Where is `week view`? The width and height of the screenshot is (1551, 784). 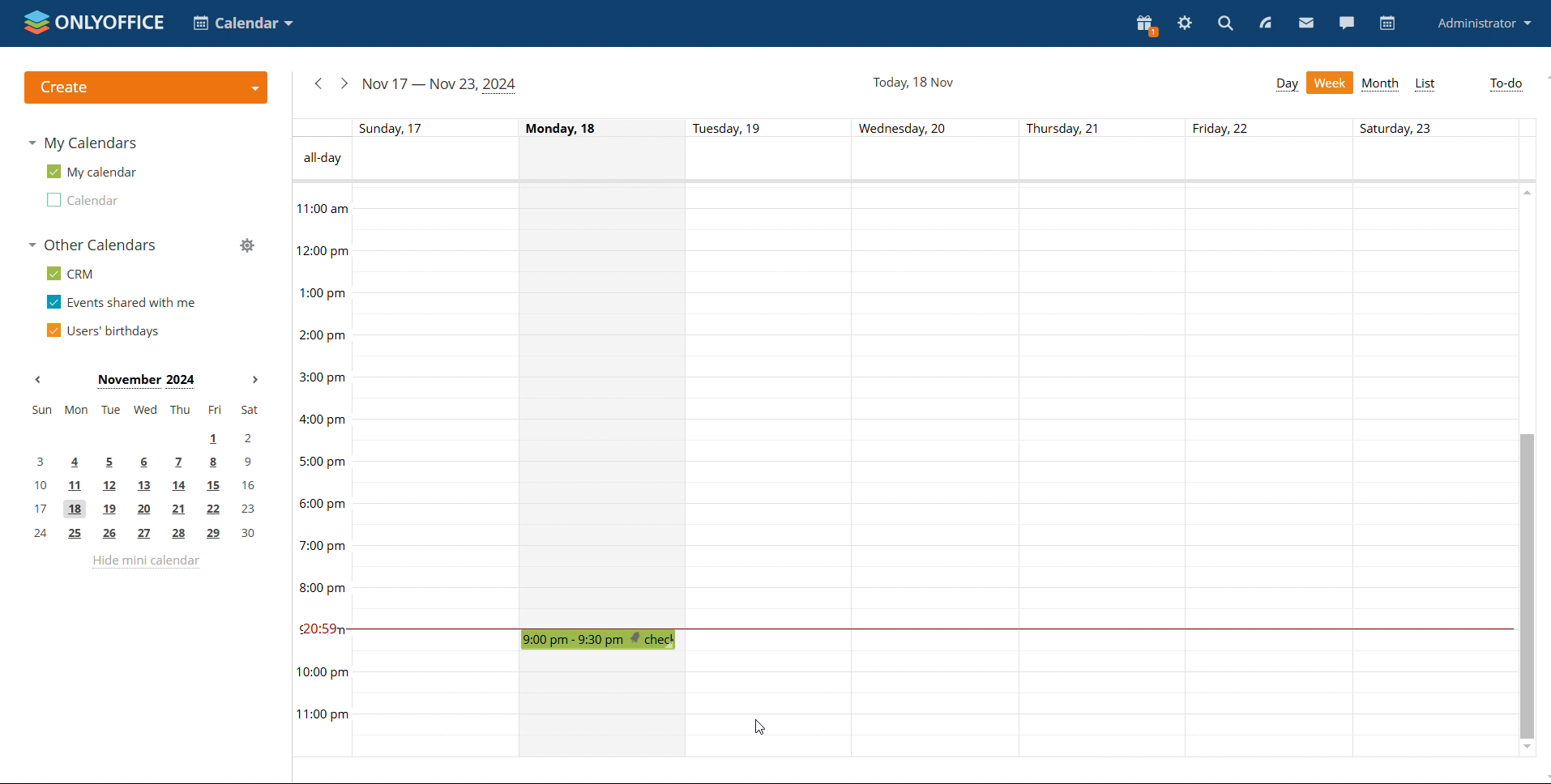
week view is located at coordinates (1331, 83).